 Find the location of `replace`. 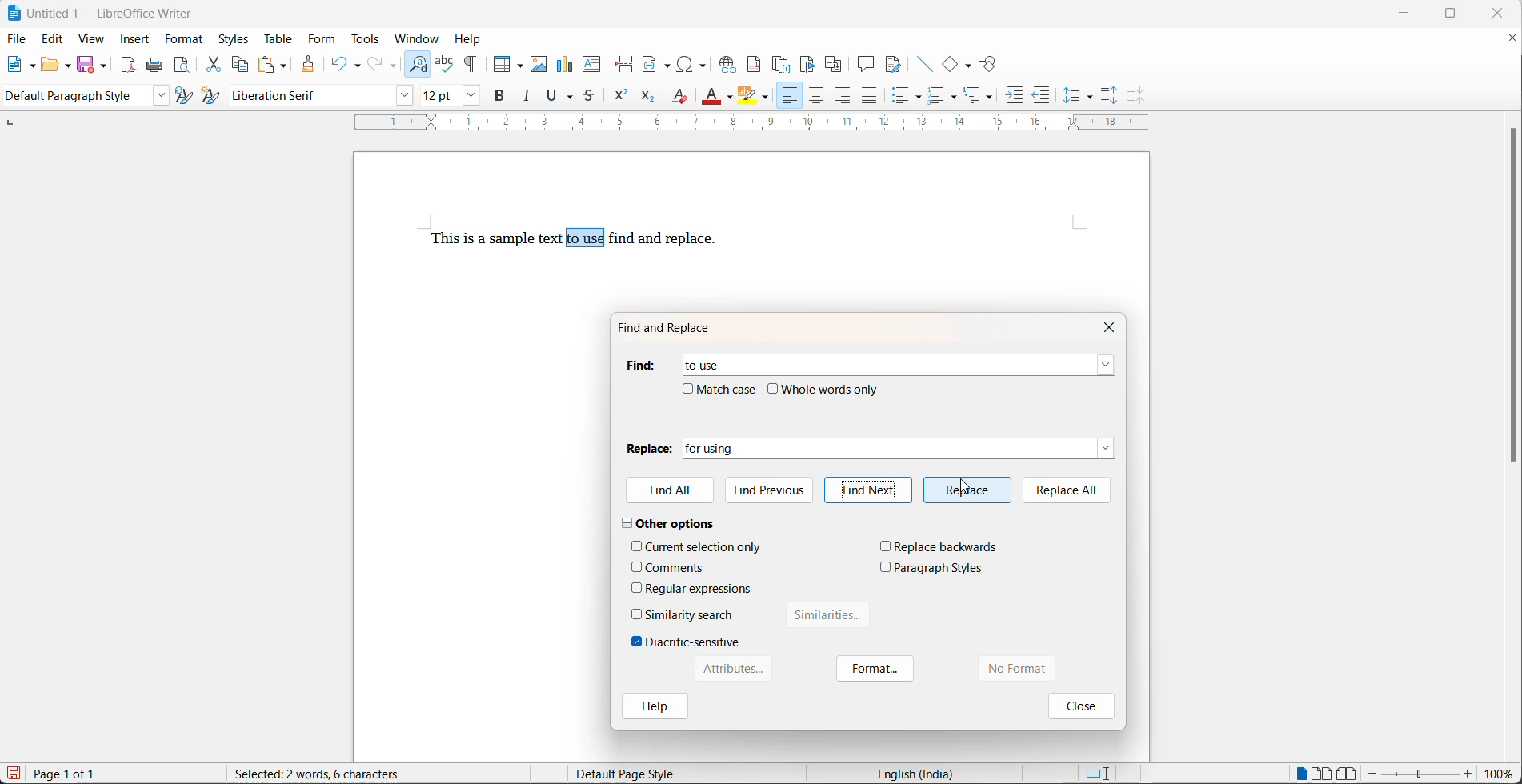

replace is located at coordinates (965, 490).